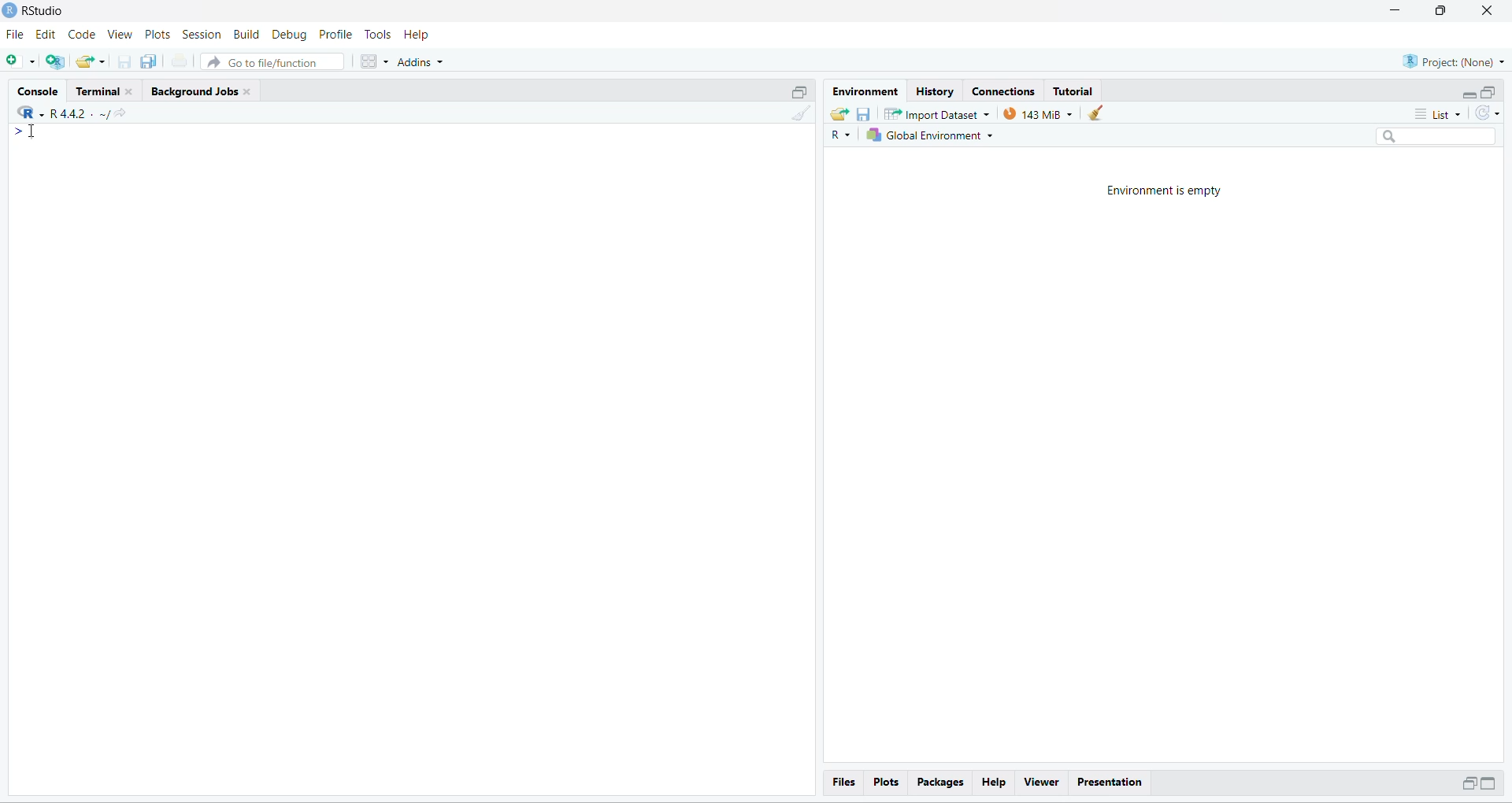 The height and width of the screenshot is (803, 1512). I want to click on go to file/function, so click(272, 61).